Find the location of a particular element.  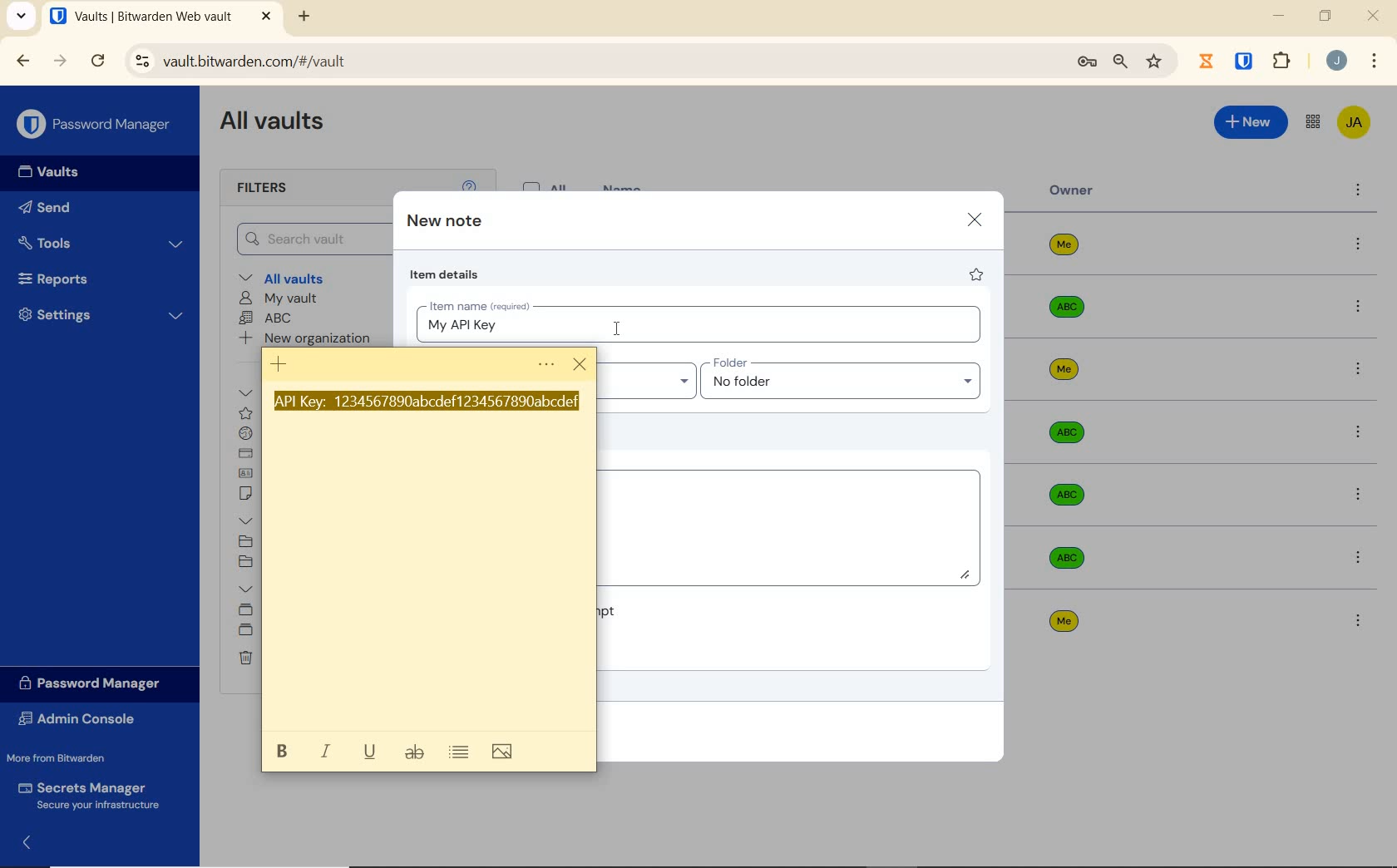

CLOSE is located at coordinates (266, 17).